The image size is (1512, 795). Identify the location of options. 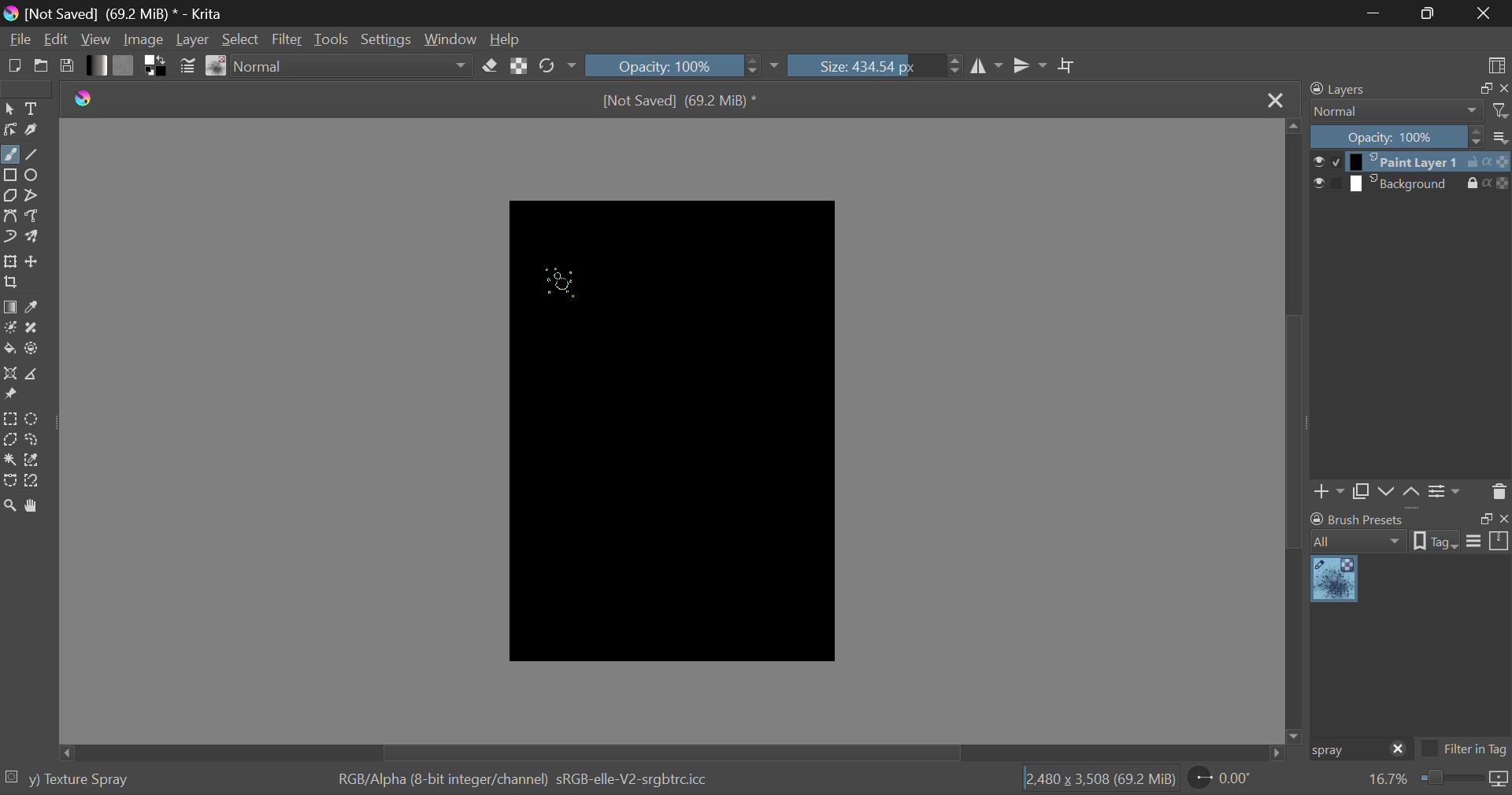
(1488, 540).